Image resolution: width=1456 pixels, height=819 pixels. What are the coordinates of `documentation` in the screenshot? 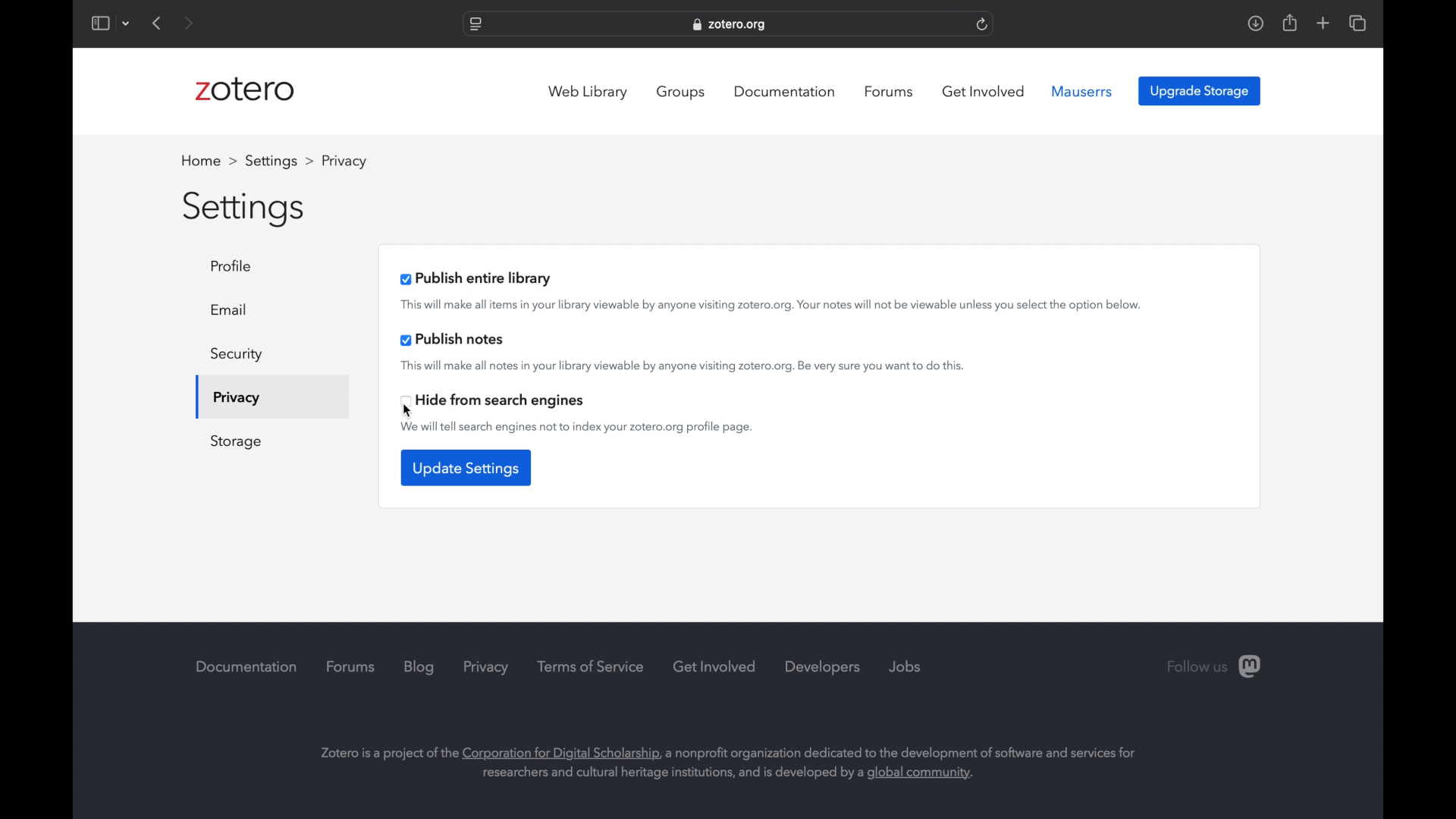 It's located at (787, 91).